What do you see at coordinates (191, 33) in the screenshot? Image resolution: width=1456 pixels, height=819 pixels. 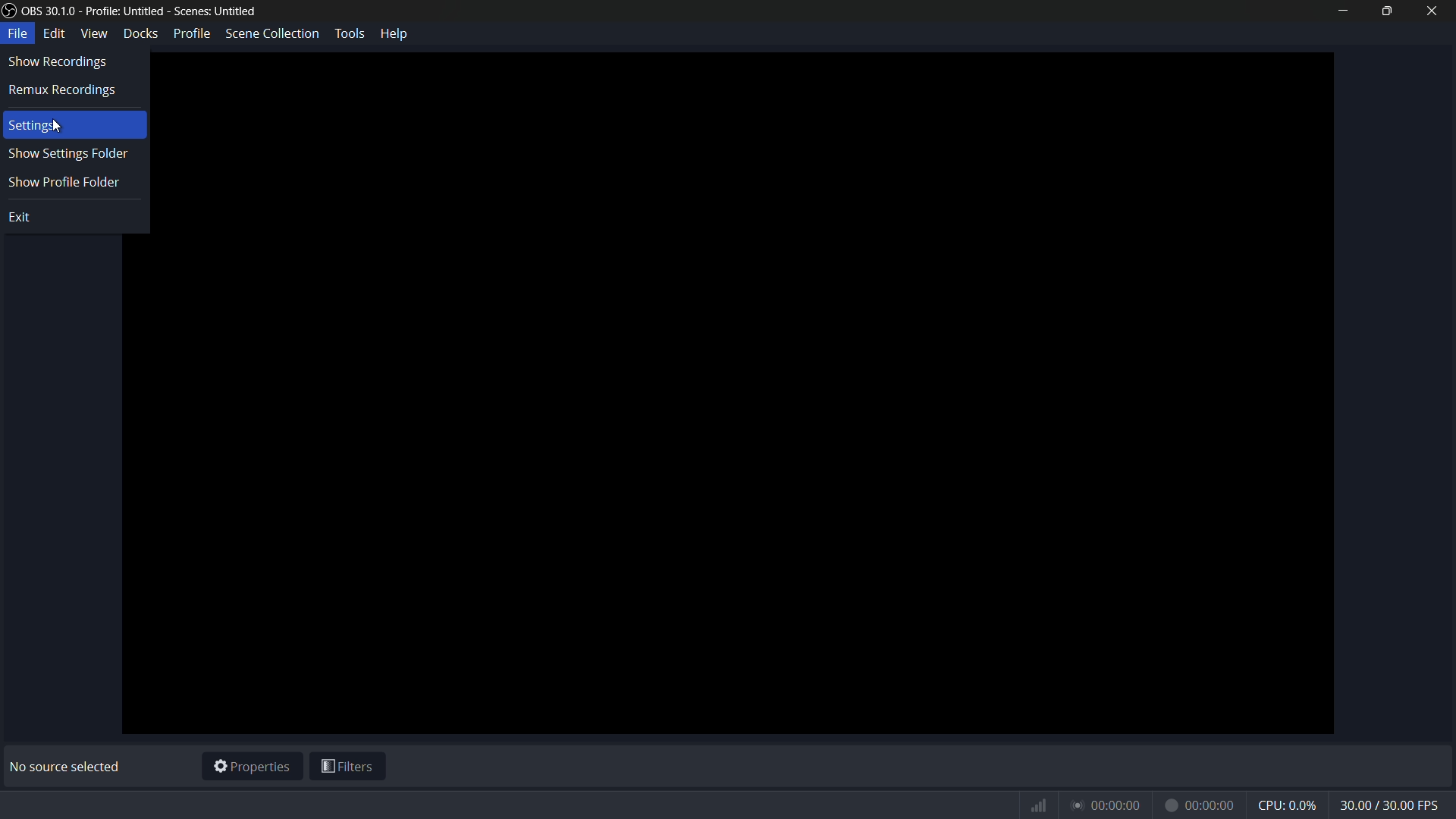 I see `profile menu` at bounding box center [191, 33].